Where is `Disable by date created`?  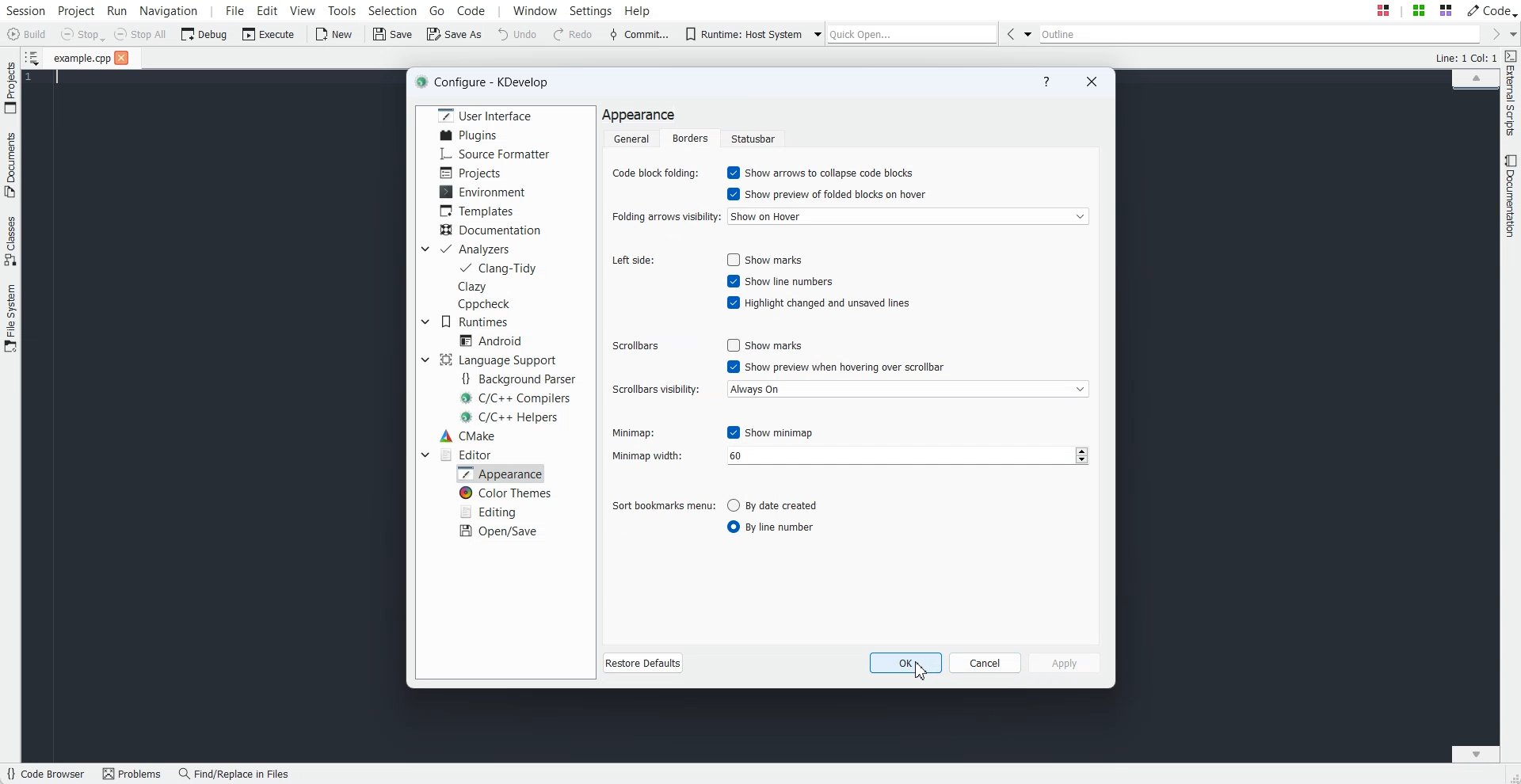 Disable by date created is located at coordinates (783, 504).